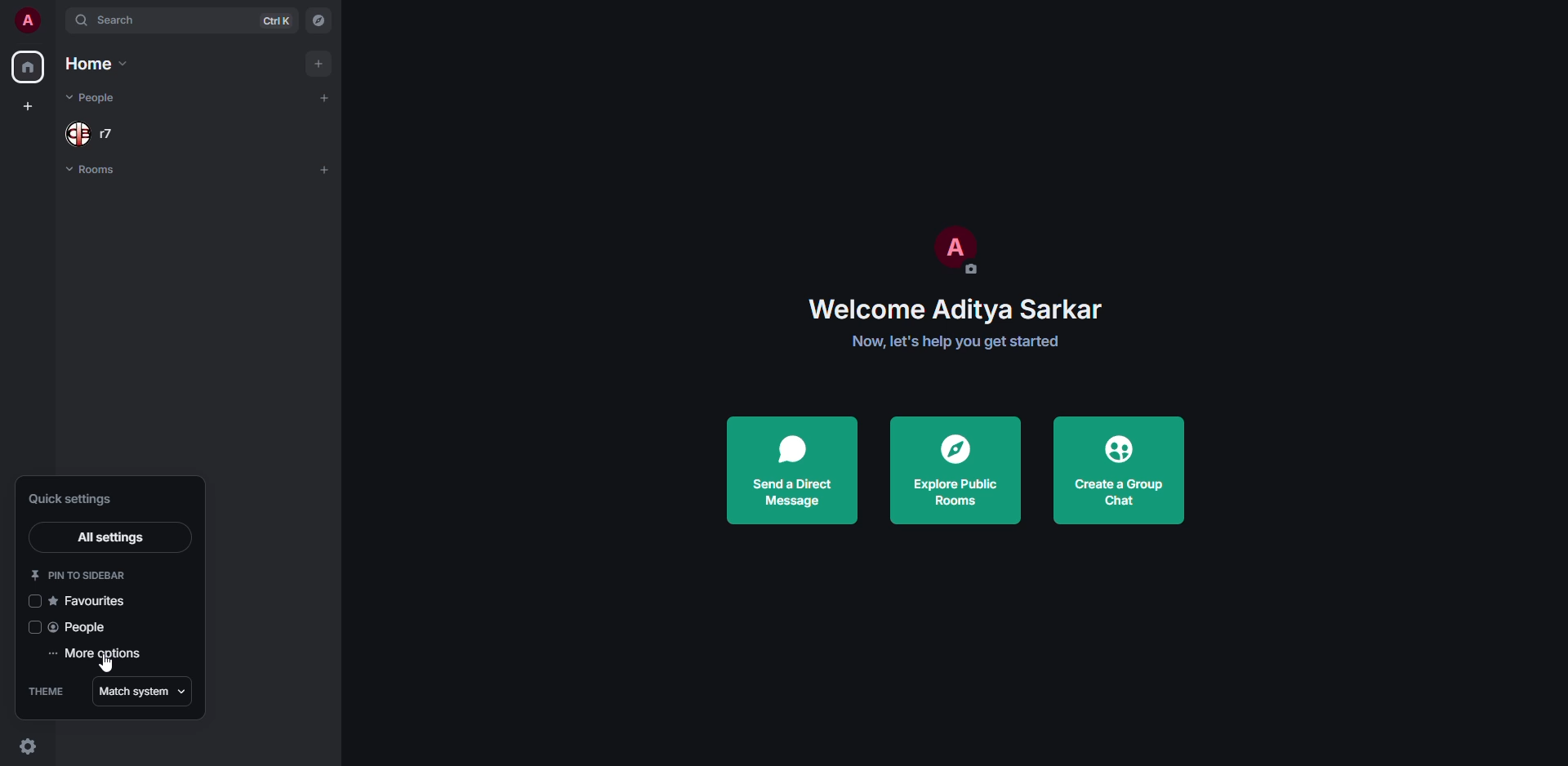 The width and height of the screenshot is (1568, 766). What do you see at coordinates (84, 500) in the screenshot?
I see `quick settings` at bounding box center [84, 500].